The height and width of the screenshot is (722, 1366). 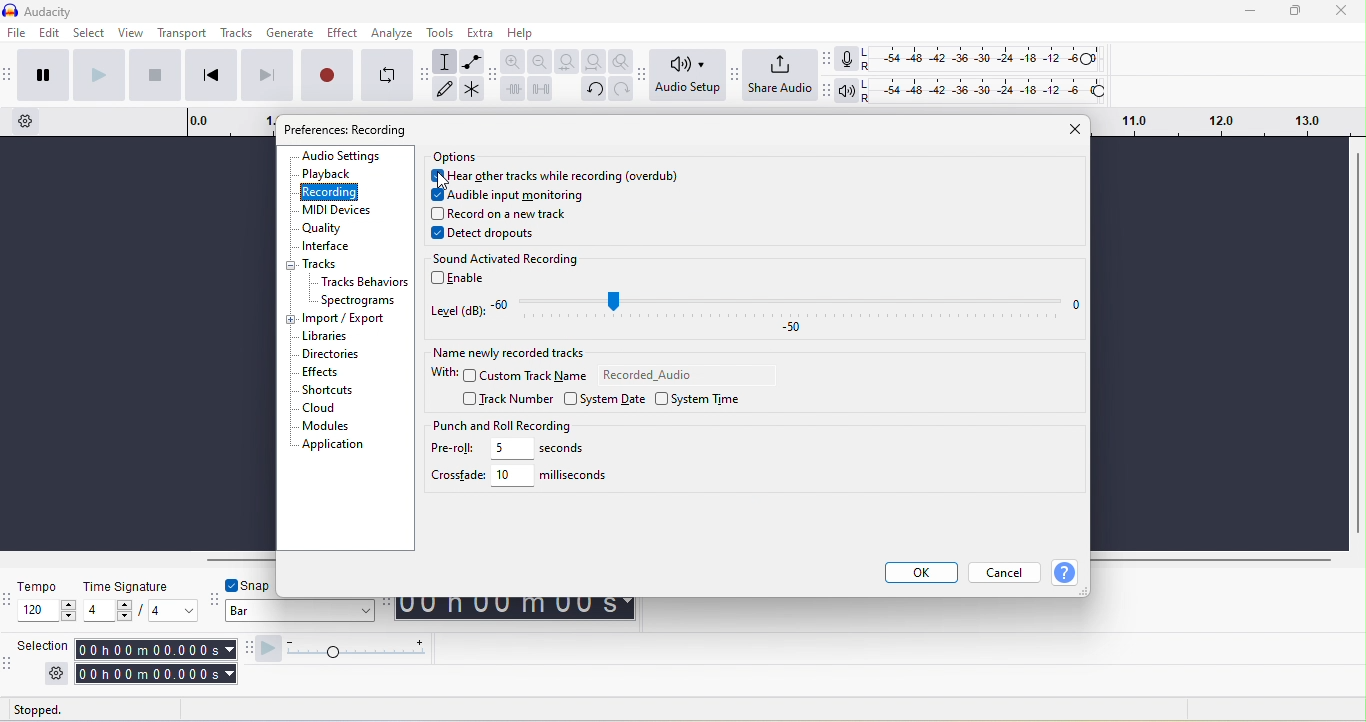 What do you see at coordinates (445, 88) in the screenshot?
I see `draw tool` at bounding box center [445, 88].